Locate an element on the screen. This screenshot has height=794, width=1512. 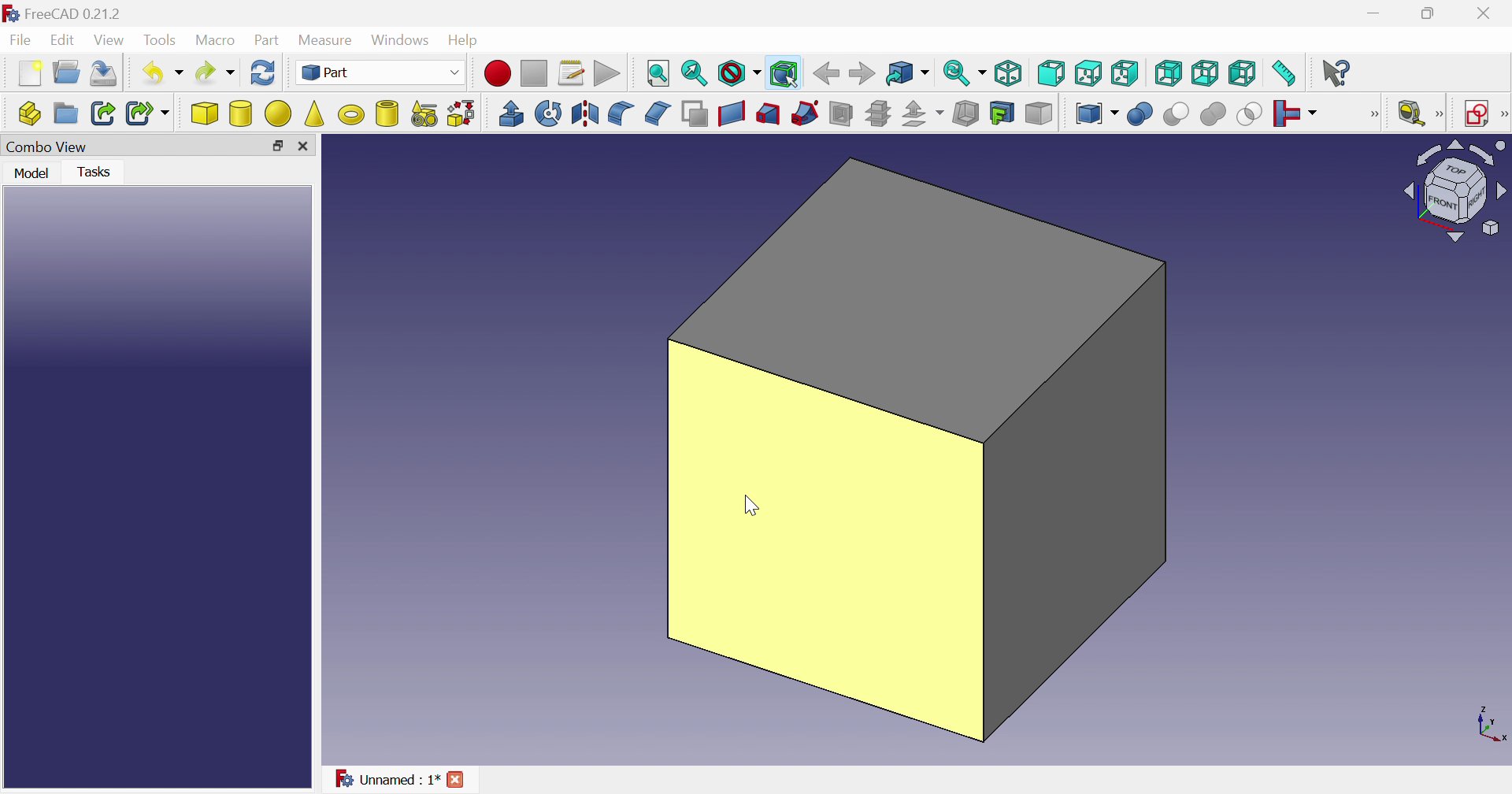
x, y axis is located at coordinates (1488, 724).